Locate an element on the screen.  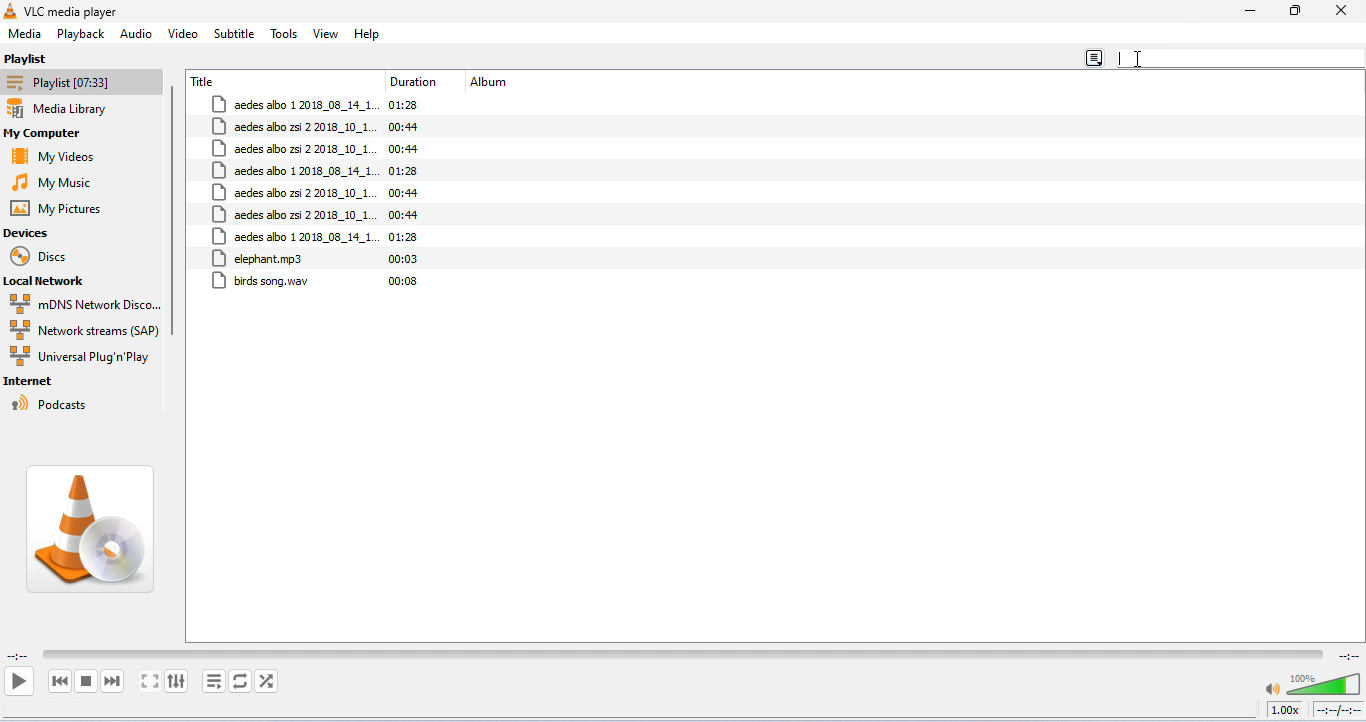
 is located at coordinates (26, 34).